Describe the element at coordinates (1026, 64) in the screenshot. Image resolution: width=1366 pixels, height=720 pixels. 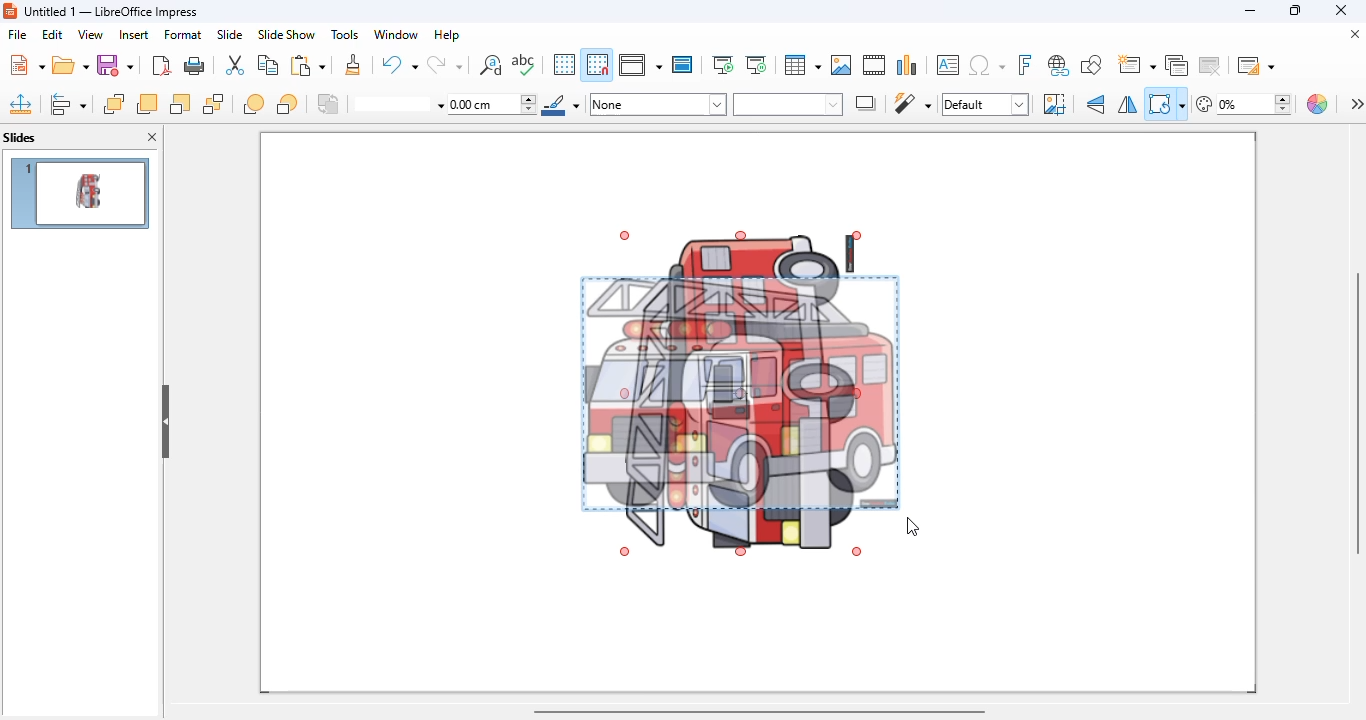
I see `insert fontwork text` at that location.